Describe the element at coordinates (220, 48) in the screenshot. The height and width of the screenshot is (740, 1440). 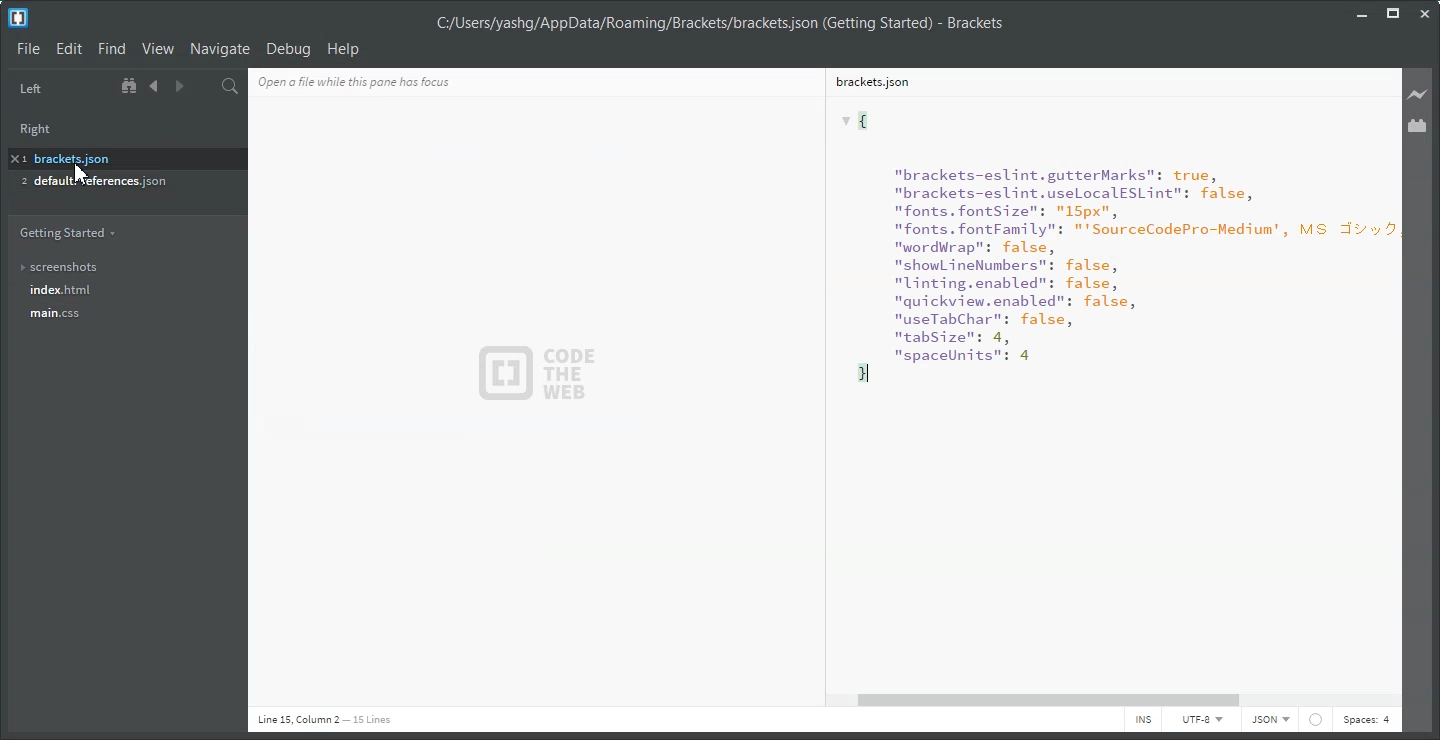
I see `Navigate` at that location.